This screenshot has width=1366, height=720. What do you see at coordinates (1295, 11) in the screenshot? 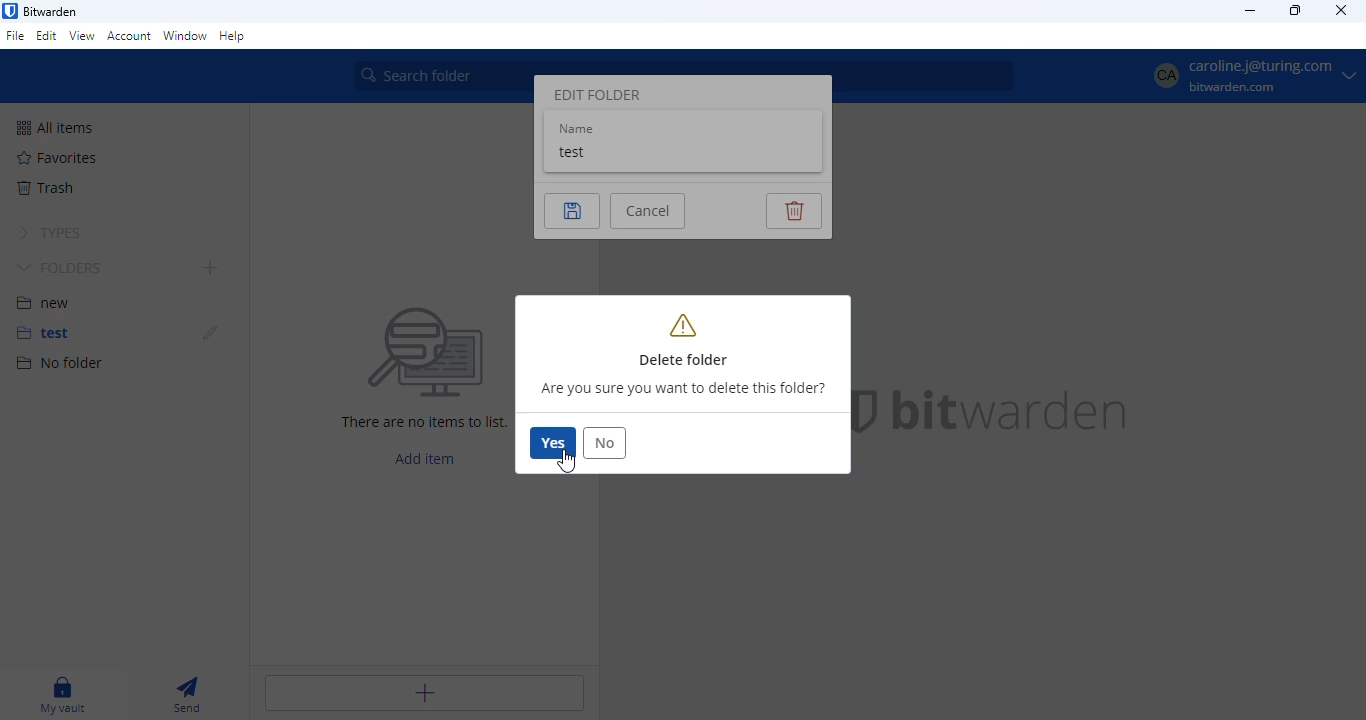
I see `maximize` at bounding box center [1295, 11].